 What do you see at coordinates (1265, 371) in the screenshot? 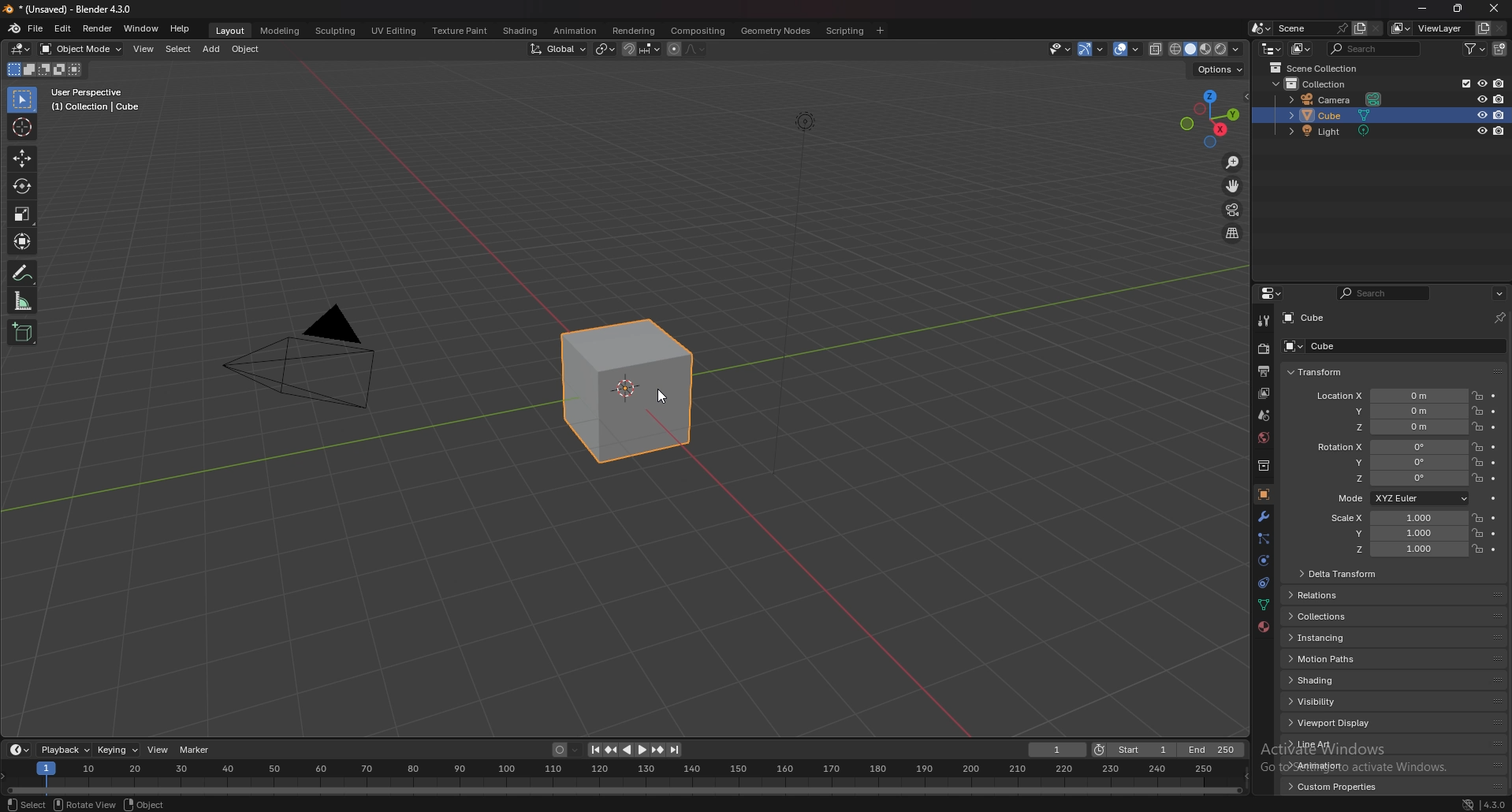
I see `output` at bounding box center [1265, 371].